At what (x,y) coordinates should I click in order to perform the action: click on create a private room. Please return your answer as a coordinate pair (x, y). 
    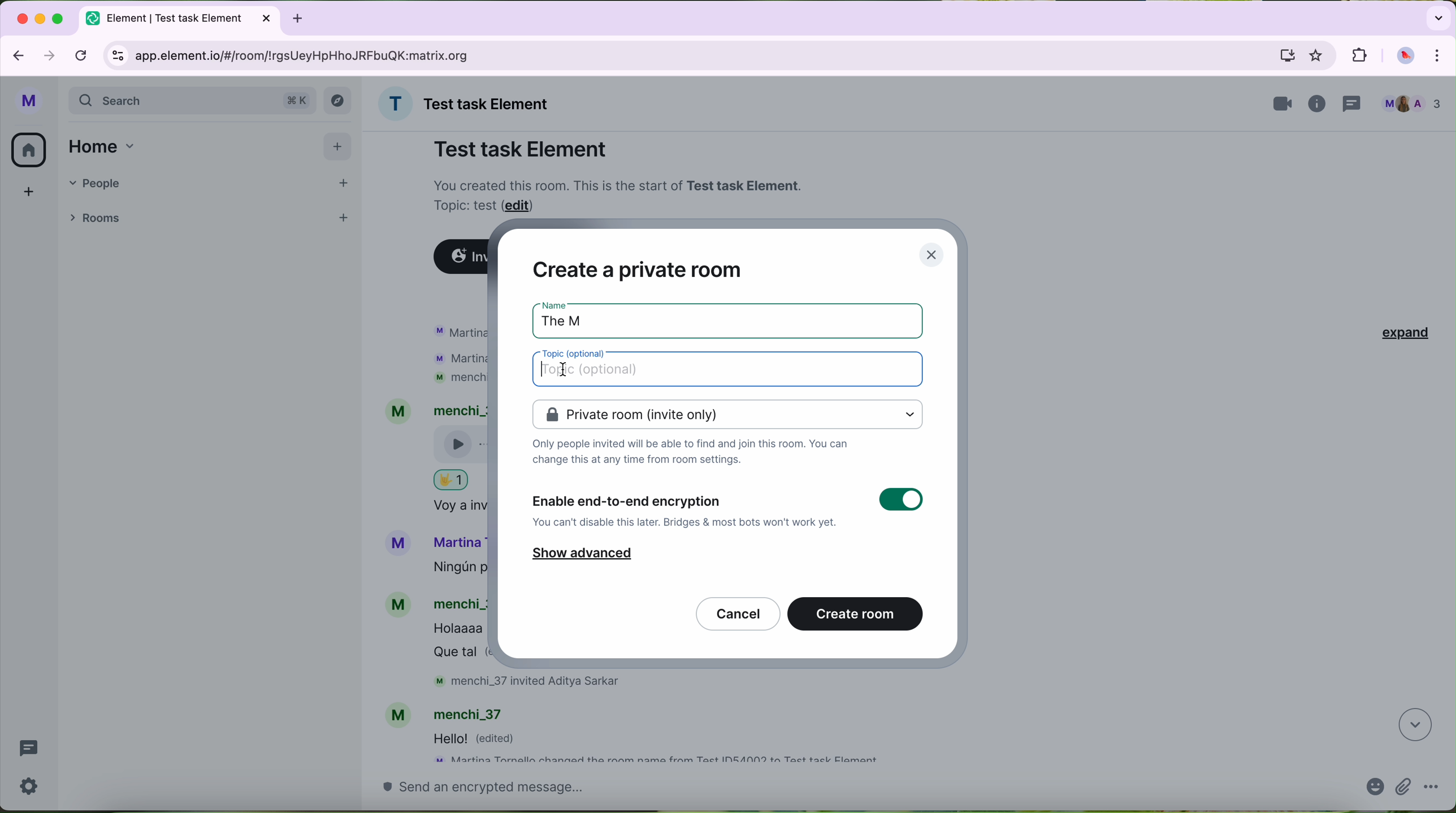
    Looking at the image, I should click on (637, 268).